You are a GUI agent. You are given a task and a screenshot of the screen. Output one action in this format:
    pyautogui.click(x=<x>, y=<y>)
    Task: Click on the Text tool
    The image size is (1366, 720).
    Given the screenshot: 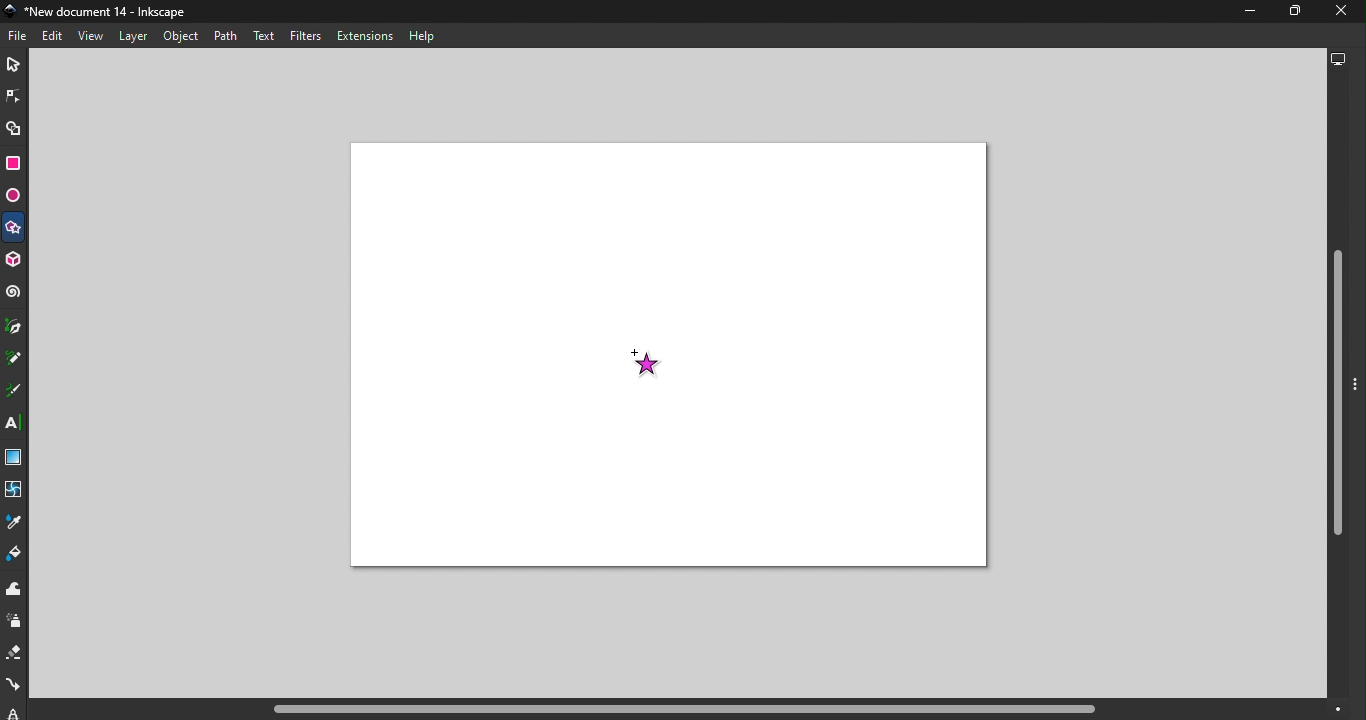 What is the action you would take?
    pyautogui.click(x=16, y=424)
    